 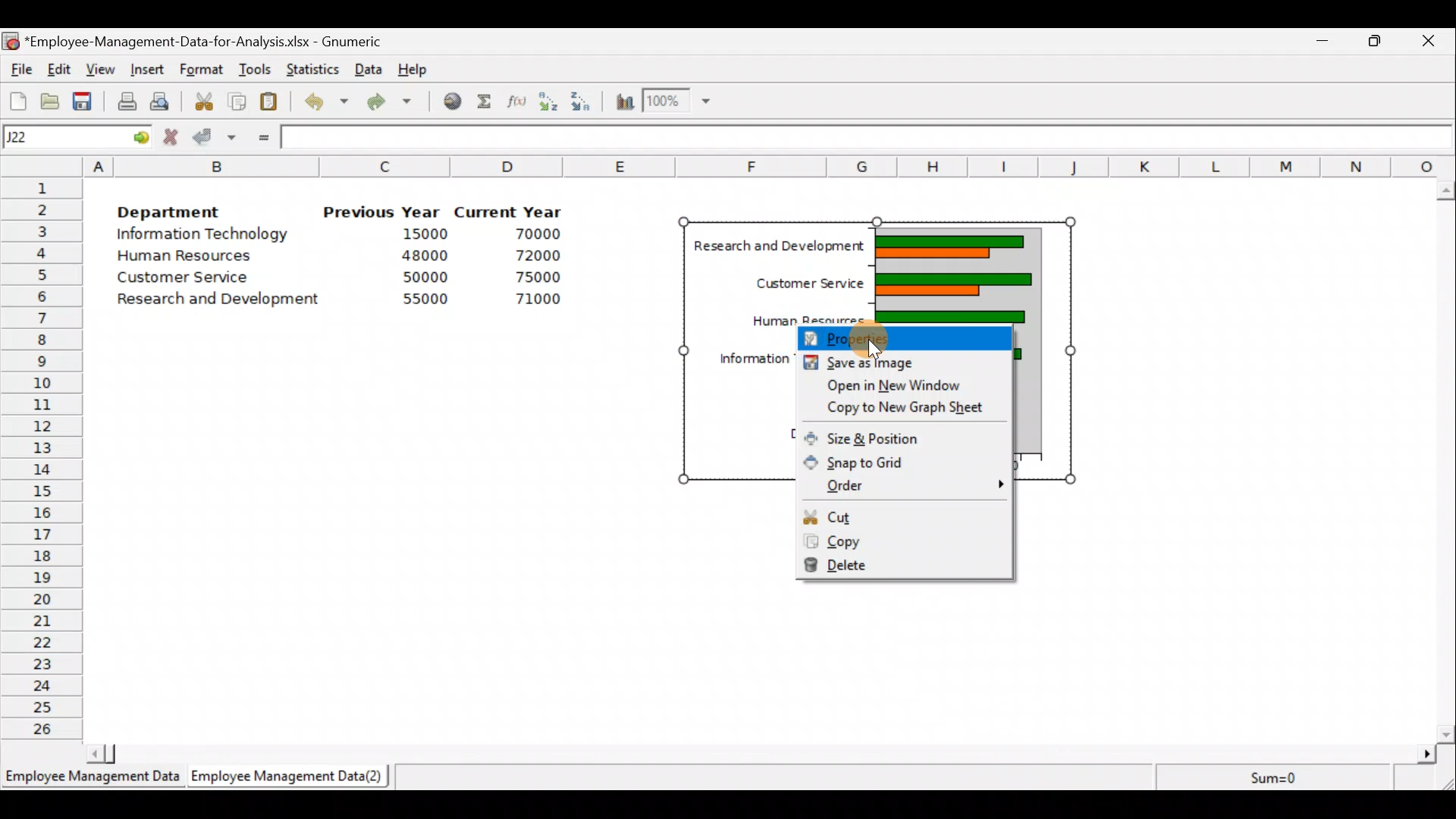 I want to click on Save as image, so click(x=910, y=359).